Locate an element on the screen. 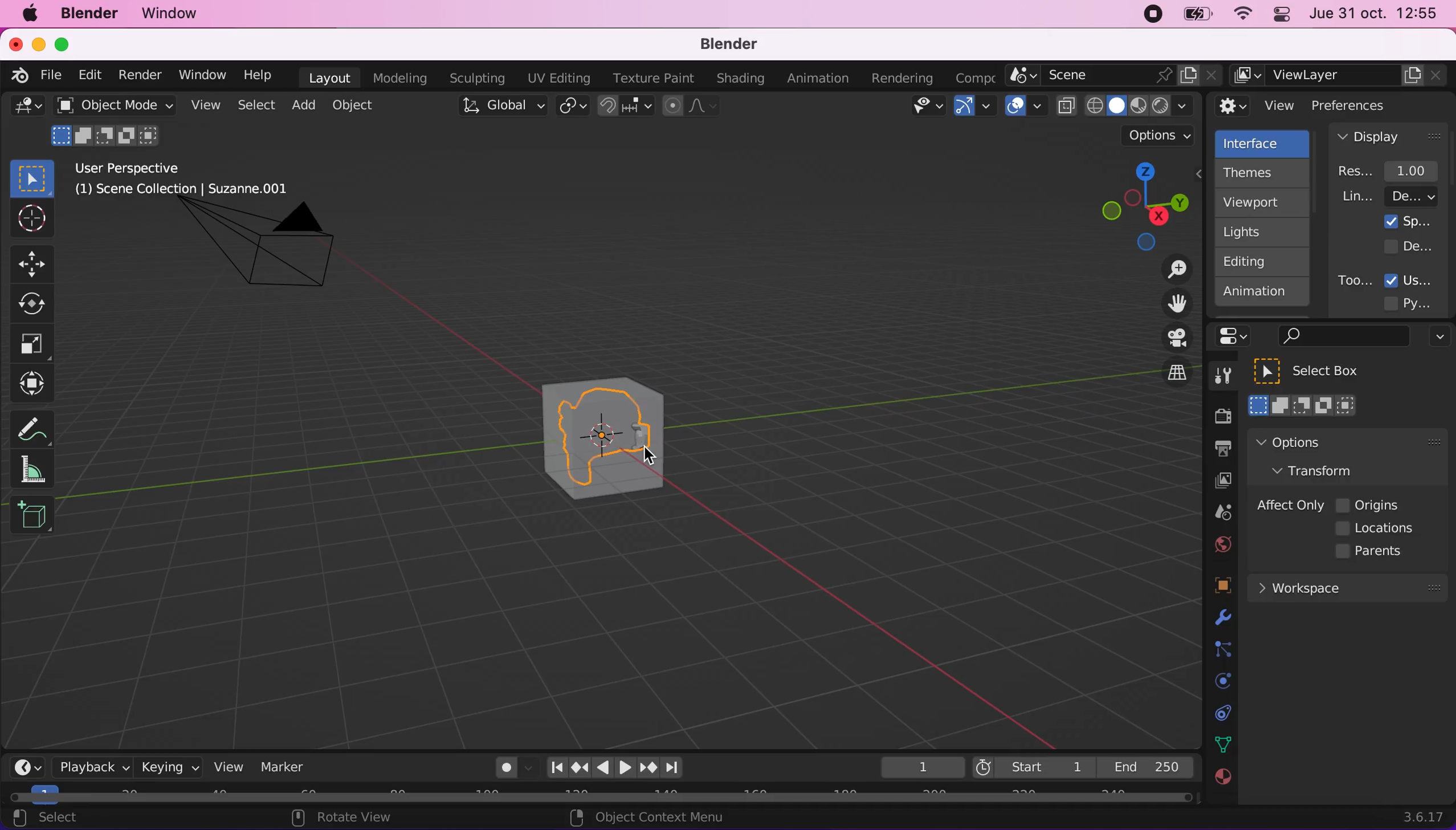  physics is located at coordinates (1220, 619).